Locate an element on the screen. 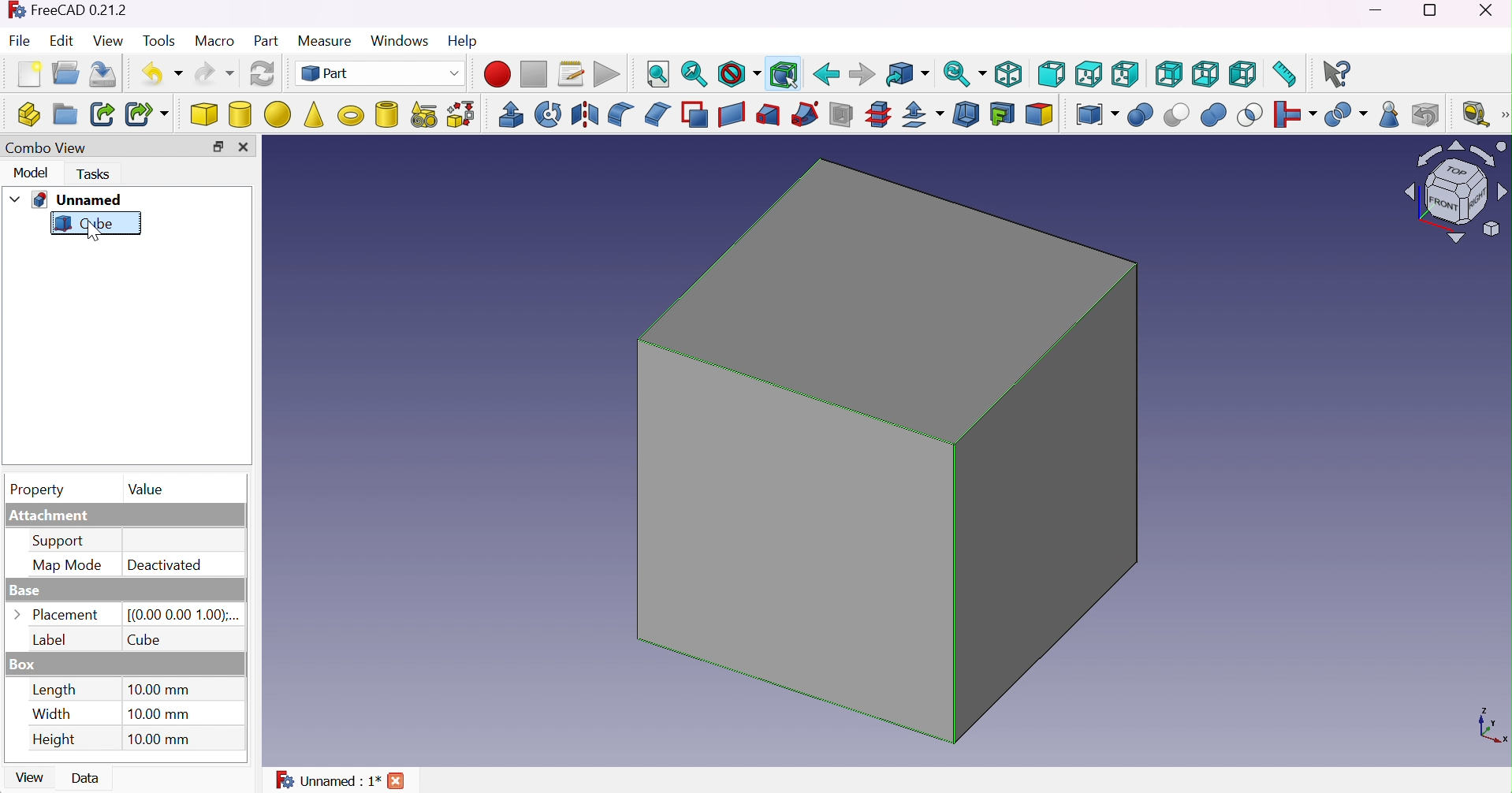 This screenshot has height=793, width=1512. Defeaturing is located at coordinates (1423, 115).